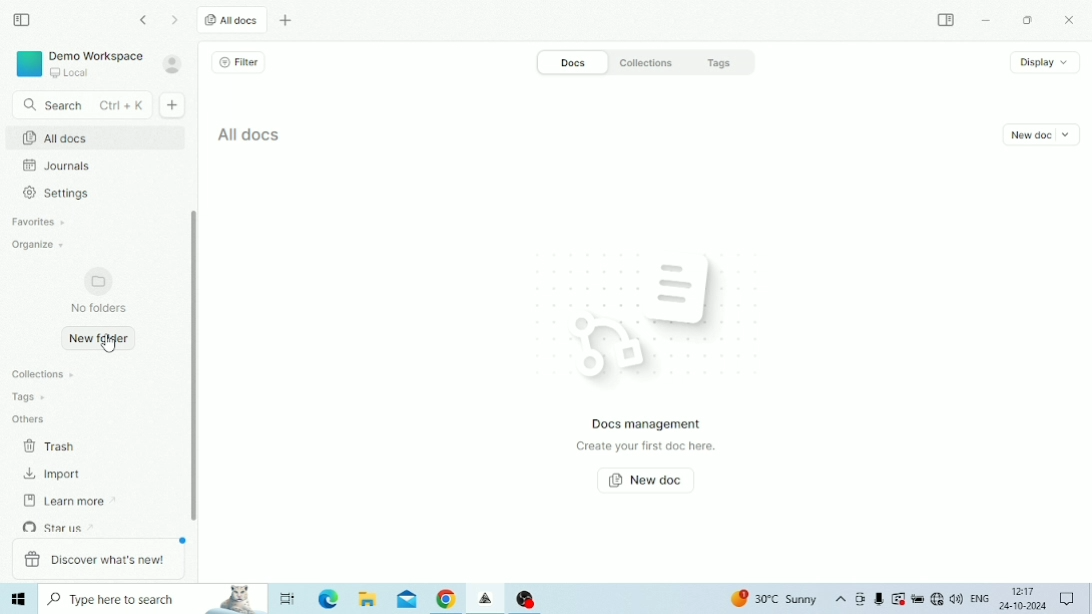 The height and width of the screenshot is (614, 1092). What do you see at coordinates (68, 502) in the screenshot?
I see `Learn more` at bounding box center [68, 502].